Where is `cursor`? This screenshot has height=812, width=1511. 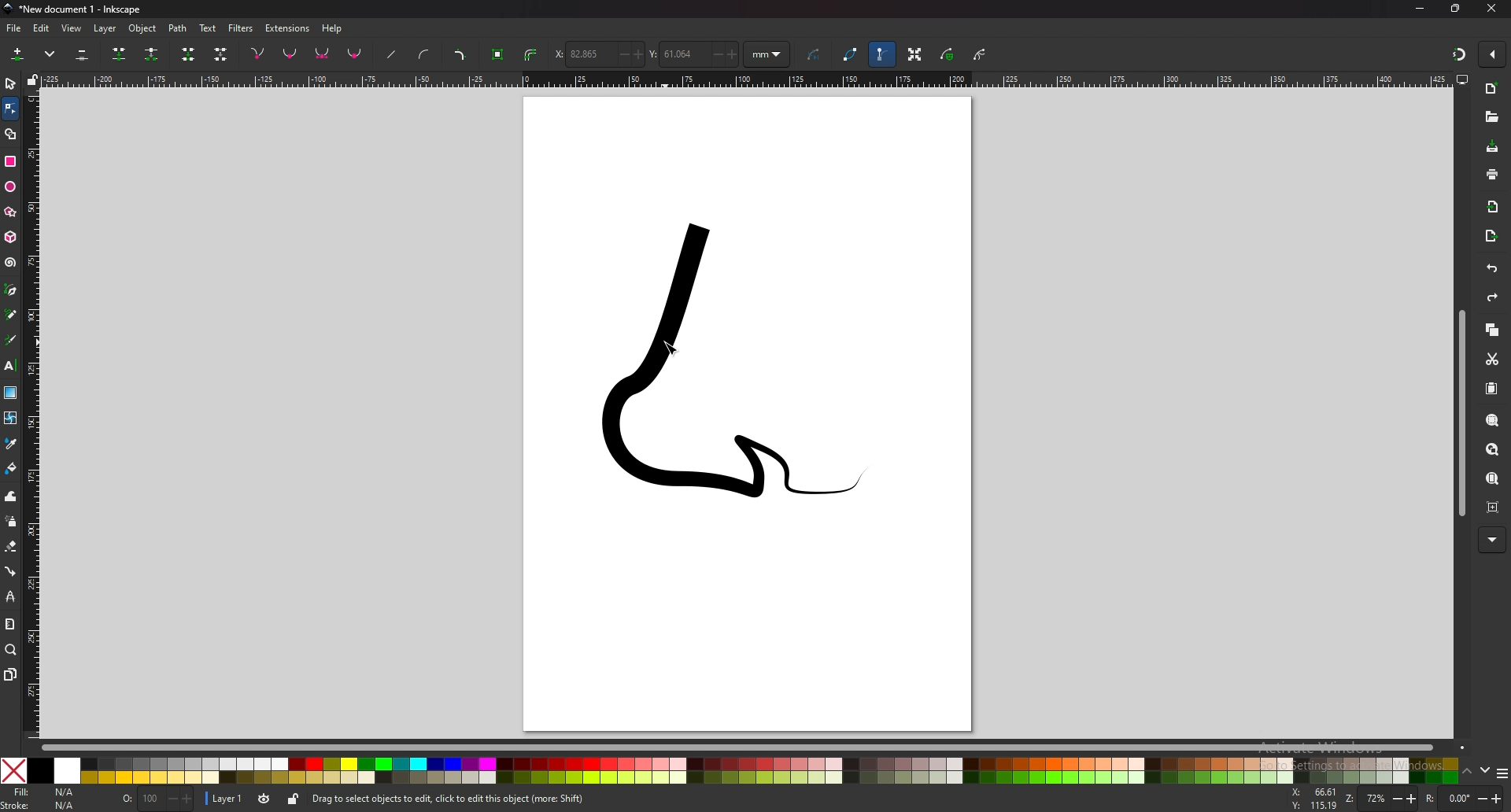 cursor is located at coordinates (673, 345).